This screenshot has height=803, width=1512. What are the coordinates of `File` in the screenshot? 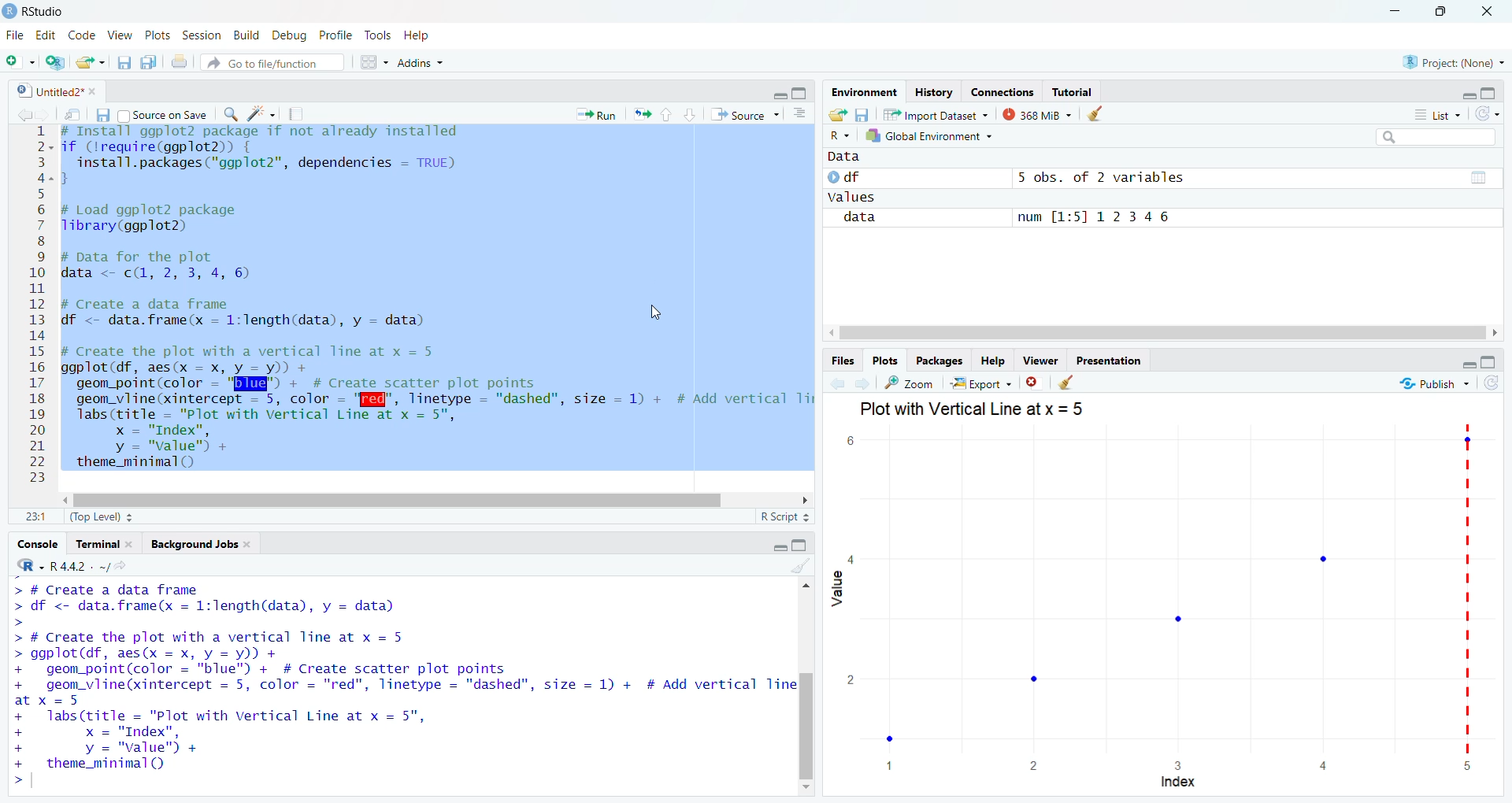 It's located at (16, 35).